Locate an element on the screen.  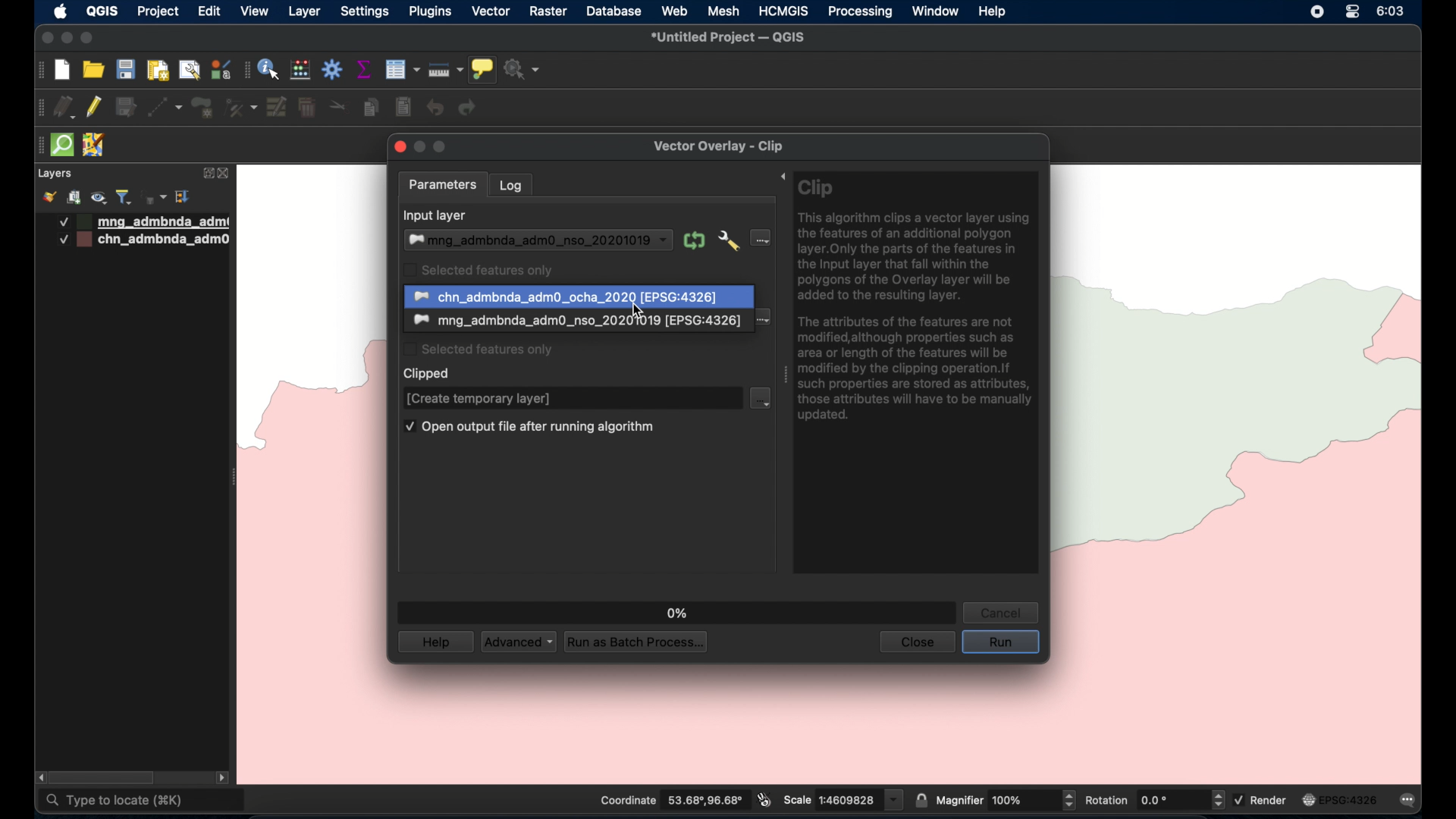
minimize is located at coordinates (67, 39).